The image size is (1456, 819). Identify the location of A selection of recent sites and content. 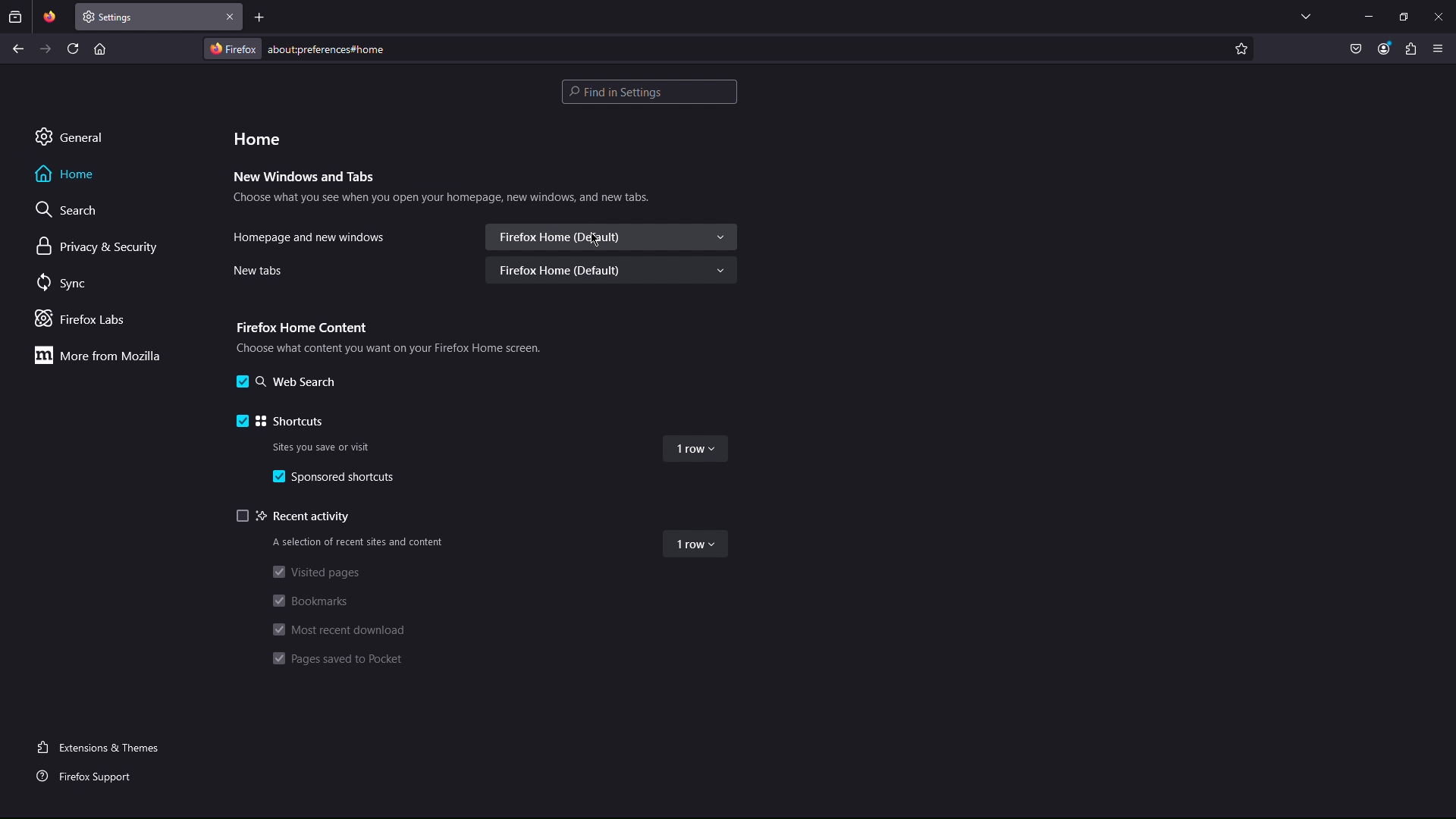
(360, 543).